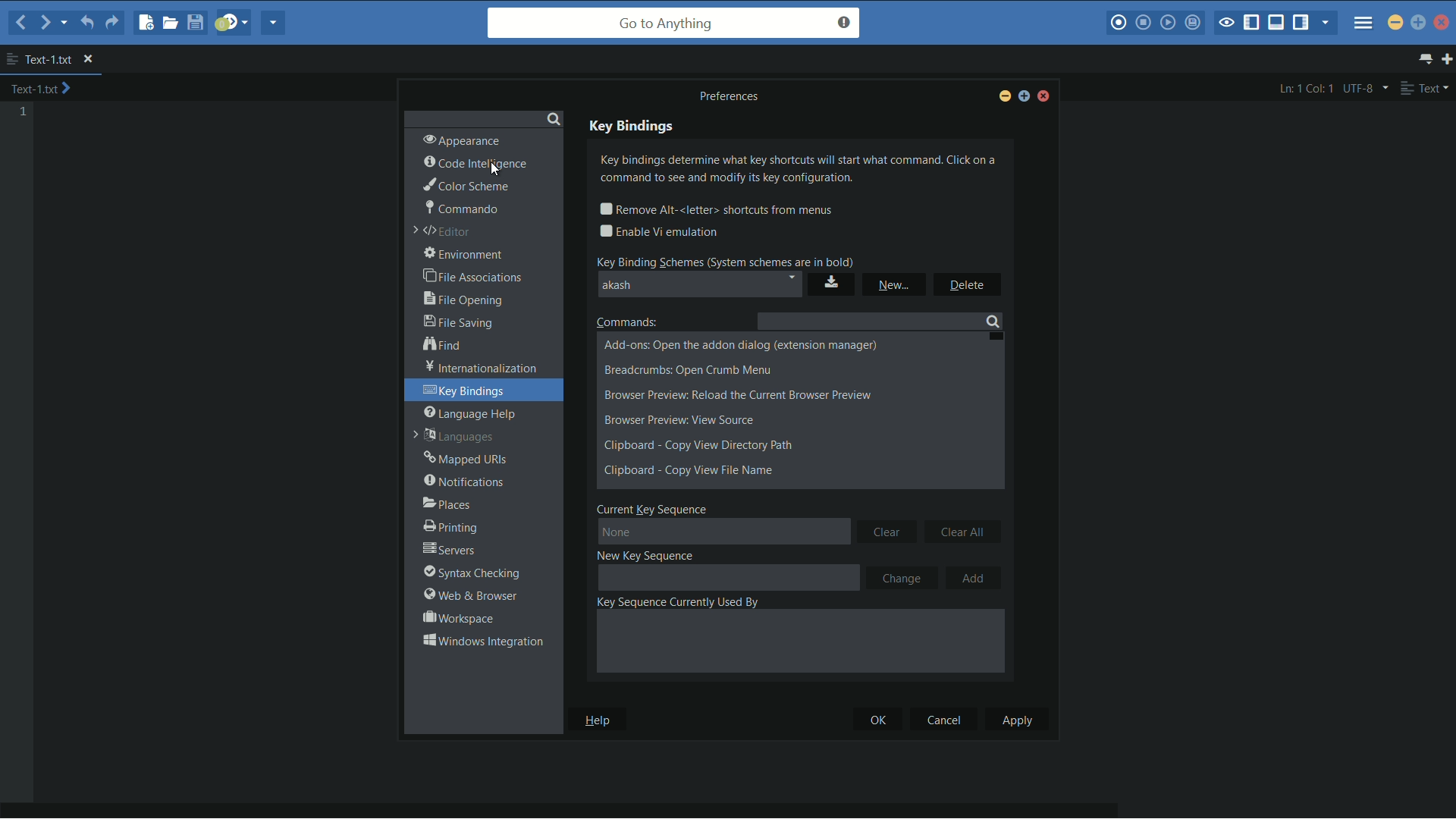 The image size is (1456, 819). Describe the element at coordinates (444, 346) in the screenshot. I see `find` at that location.